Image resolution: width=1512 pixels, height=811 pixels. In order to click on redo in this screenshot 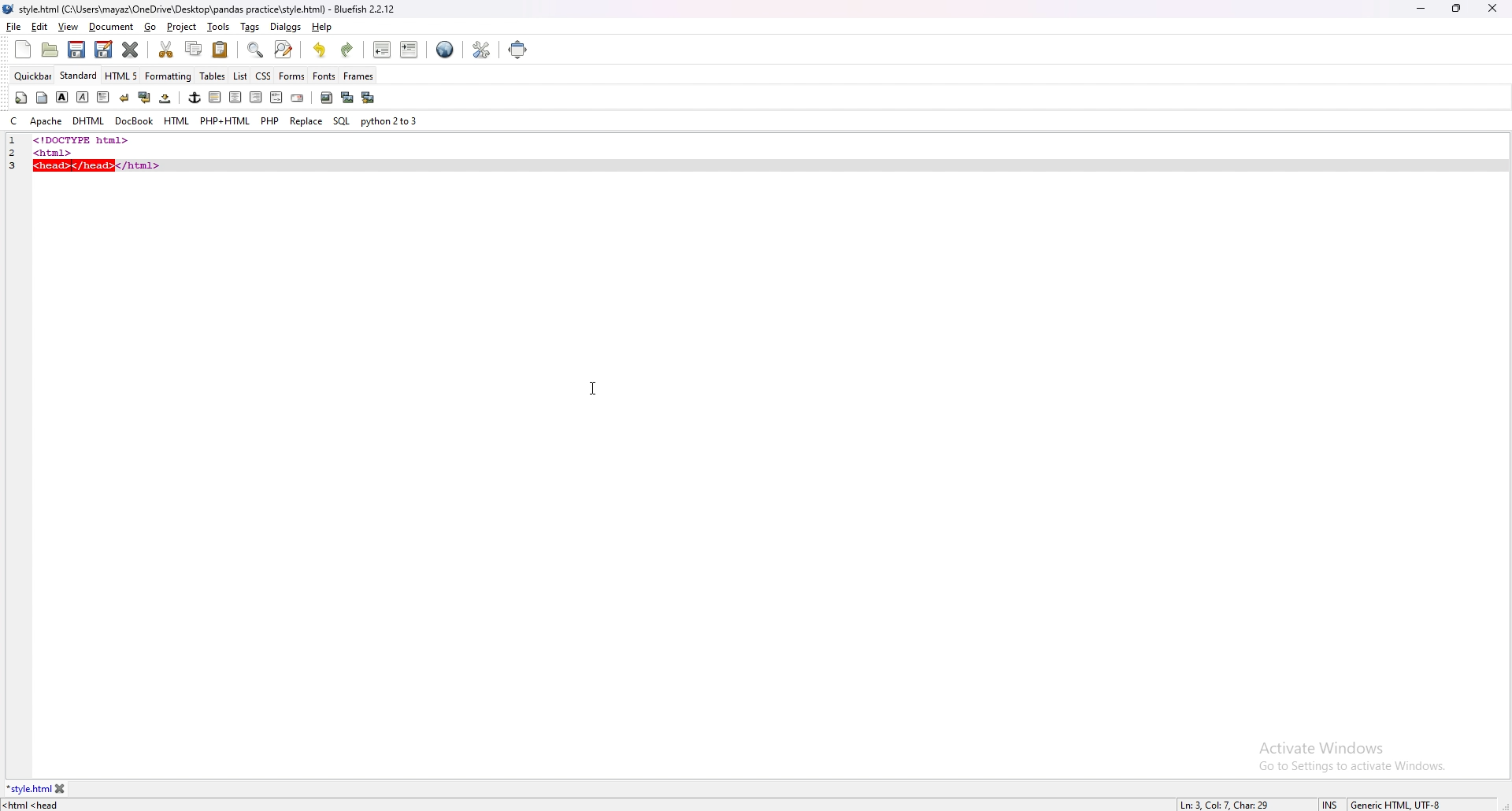, I will do `click(346, 50)`.